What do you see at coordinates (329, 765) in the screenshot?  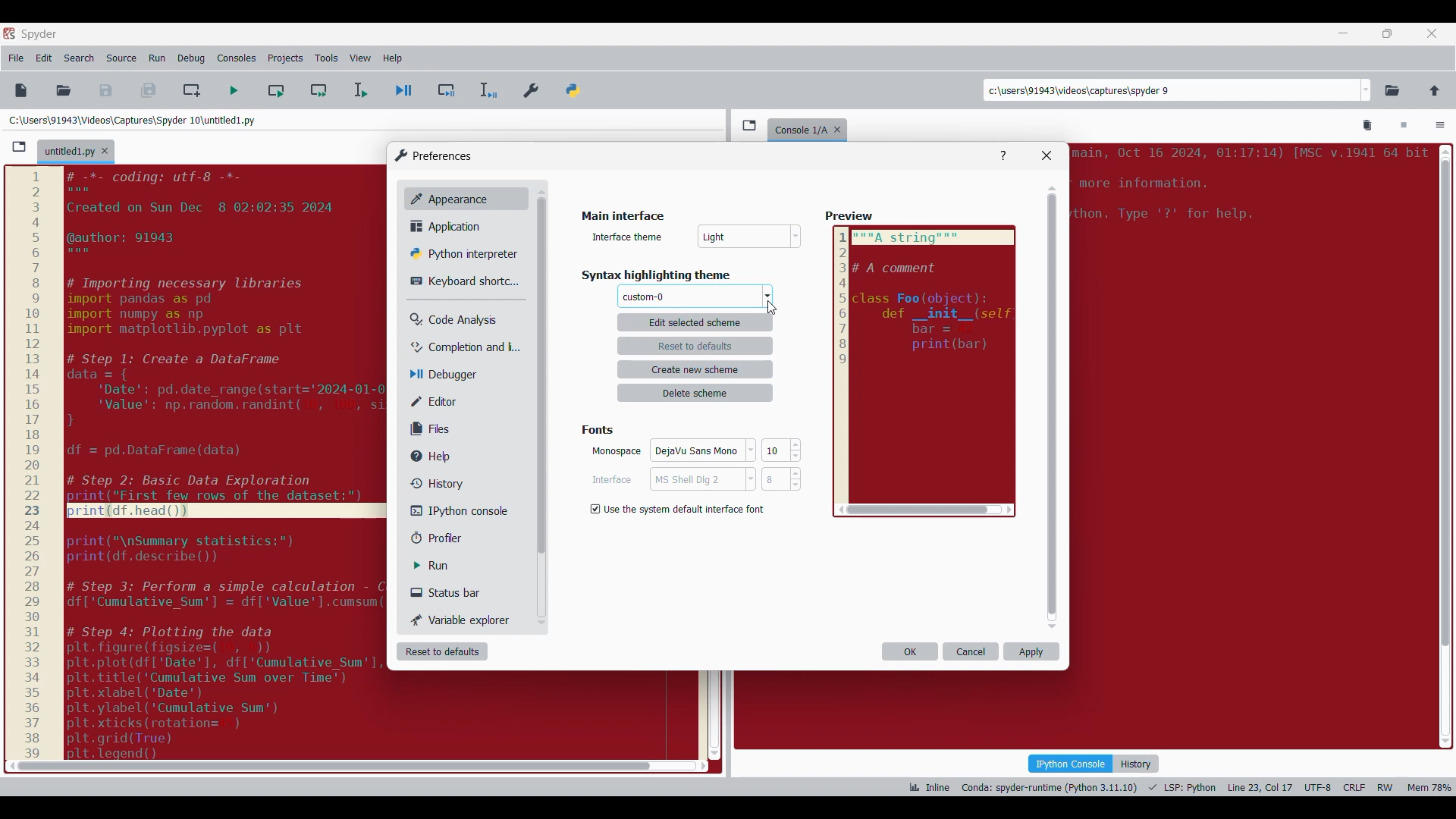 I see `scroll bar` at bounding box center [329, 765].